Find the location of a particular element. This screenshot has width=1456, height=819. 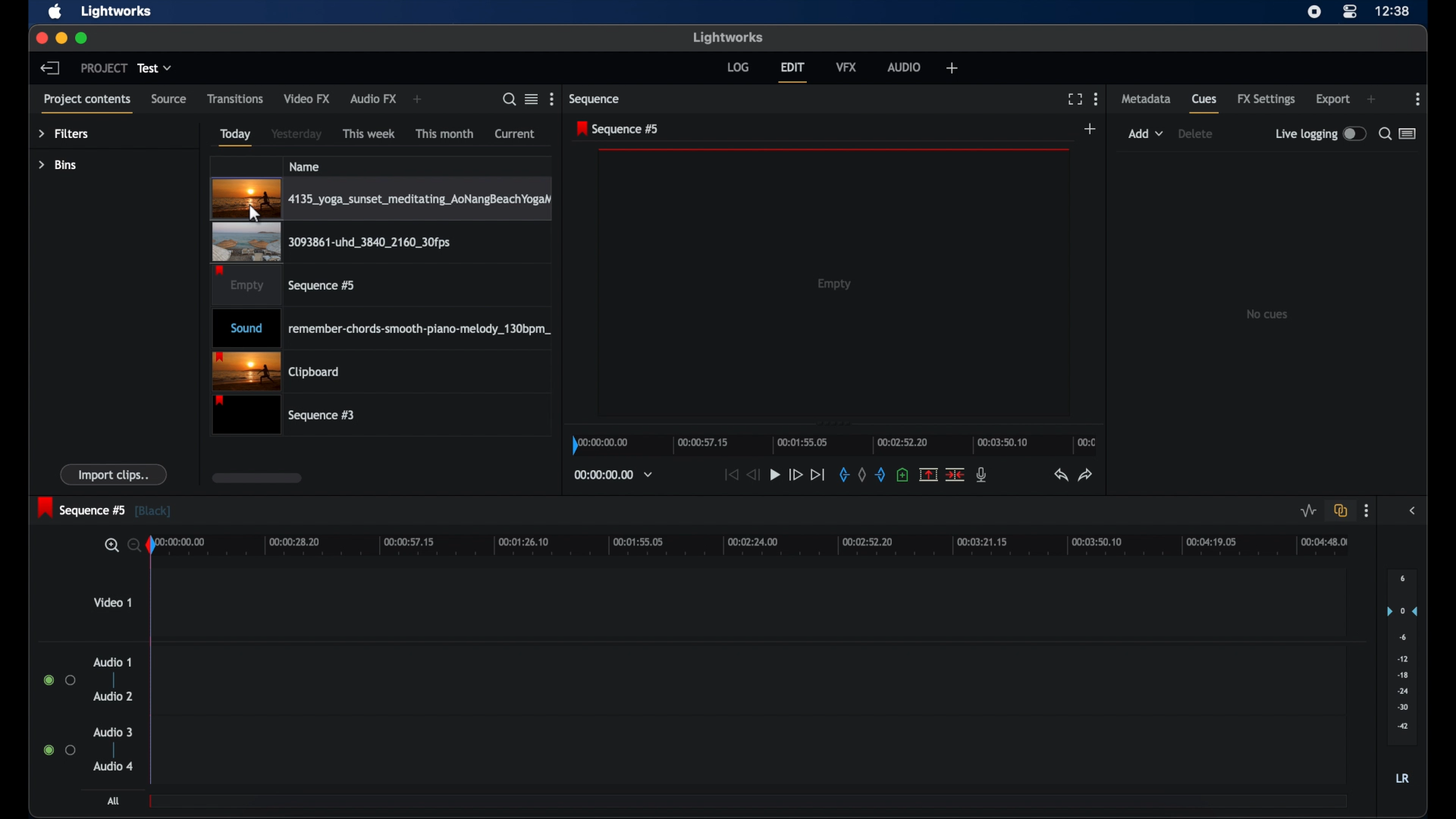

vfx is located at coordinates (846, 66).